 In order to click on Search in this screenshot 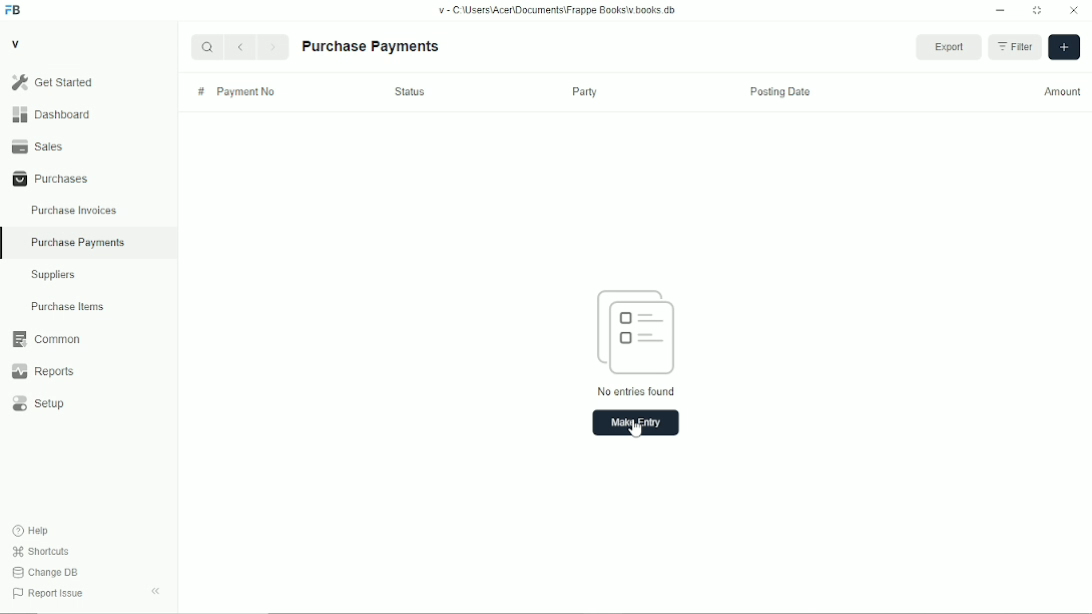, I will do `click(207, 47)`.